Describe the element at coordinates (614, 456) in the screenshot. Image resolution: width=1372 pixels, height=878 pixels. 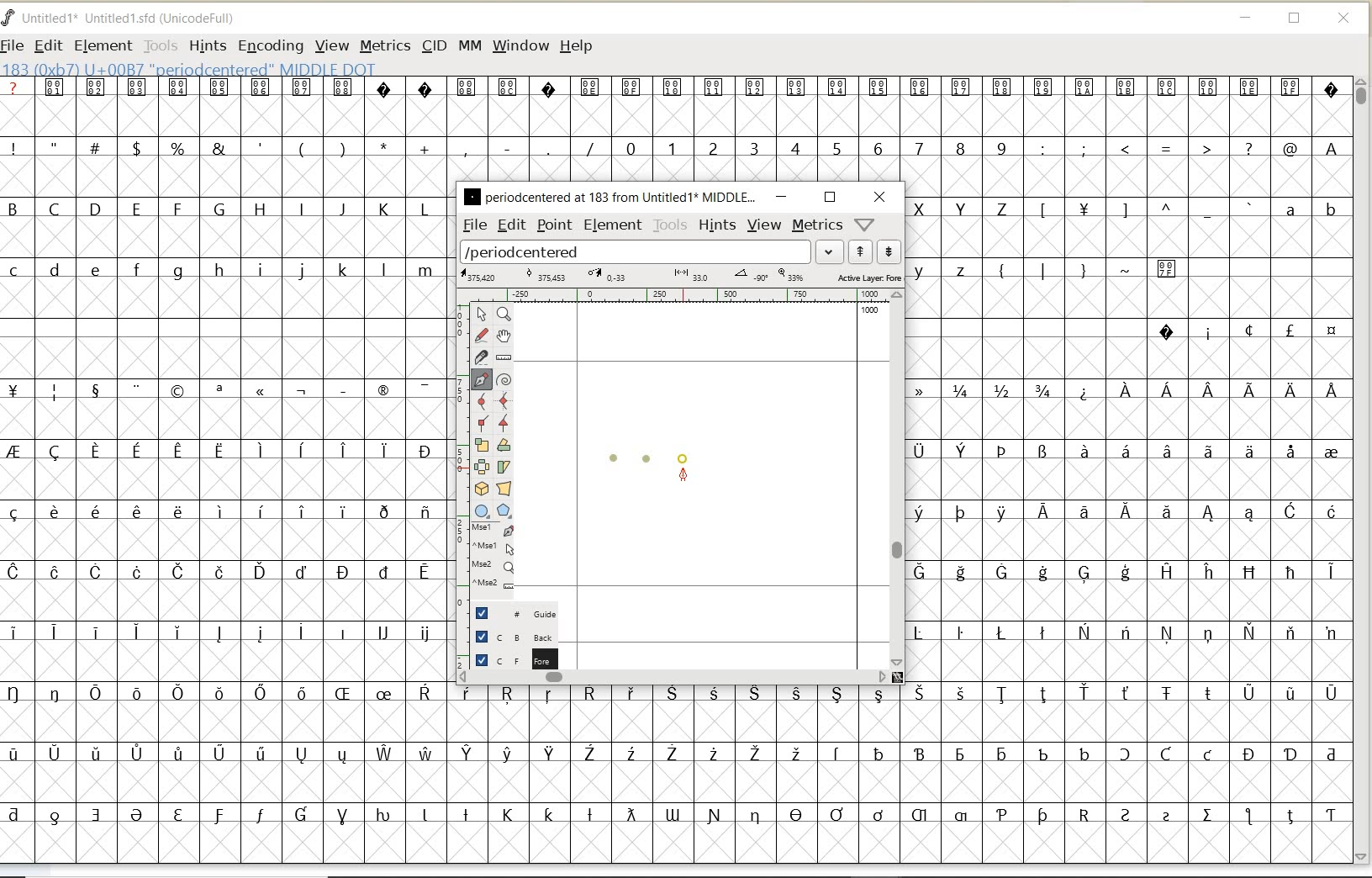
I see `dot` at that location.